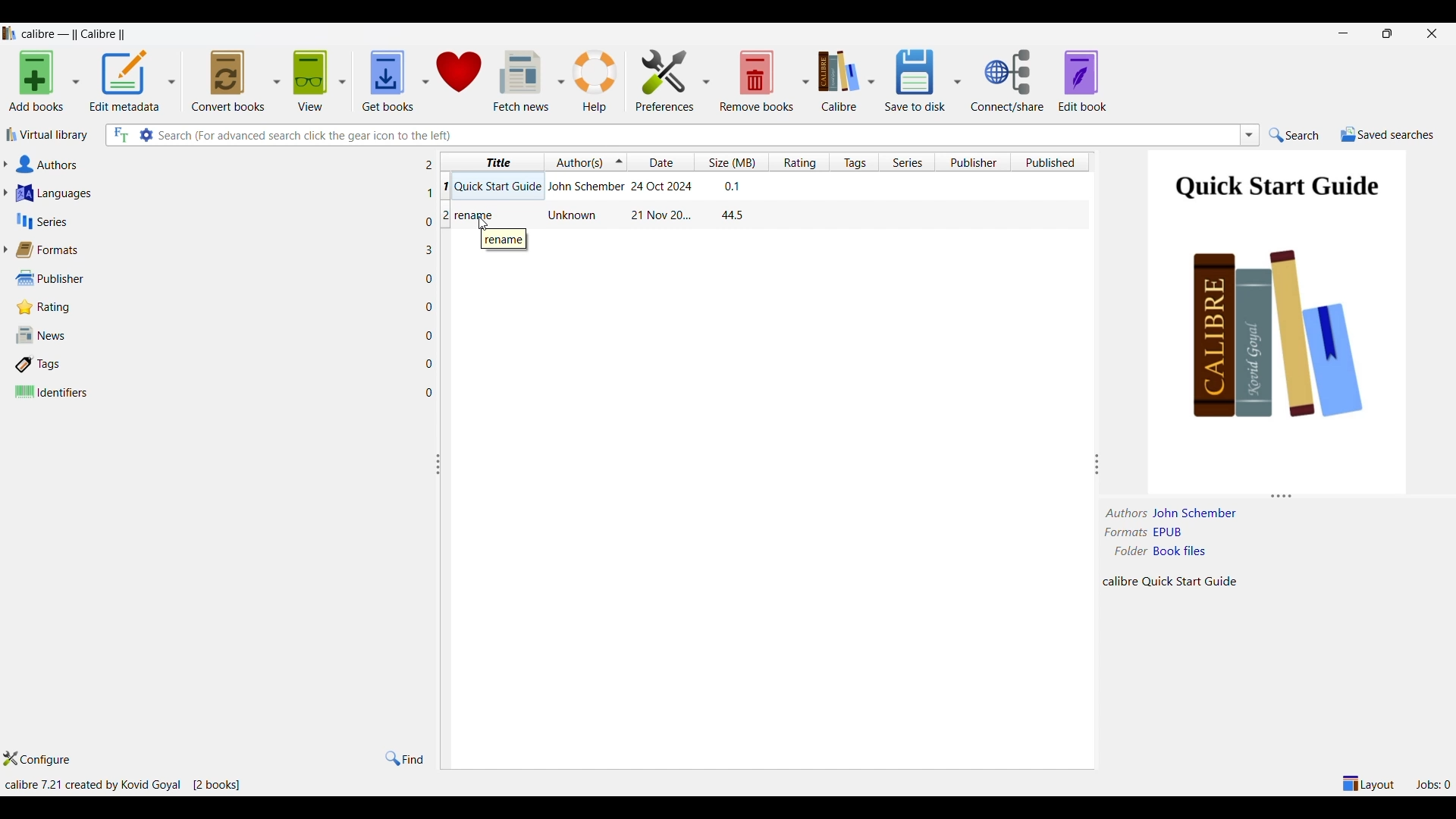 Image resolution: width=1456 pixels, height=819 pixels. Describe the element at coordinates (276, 80) in the screenshot. I see `Convert book options` at that location.